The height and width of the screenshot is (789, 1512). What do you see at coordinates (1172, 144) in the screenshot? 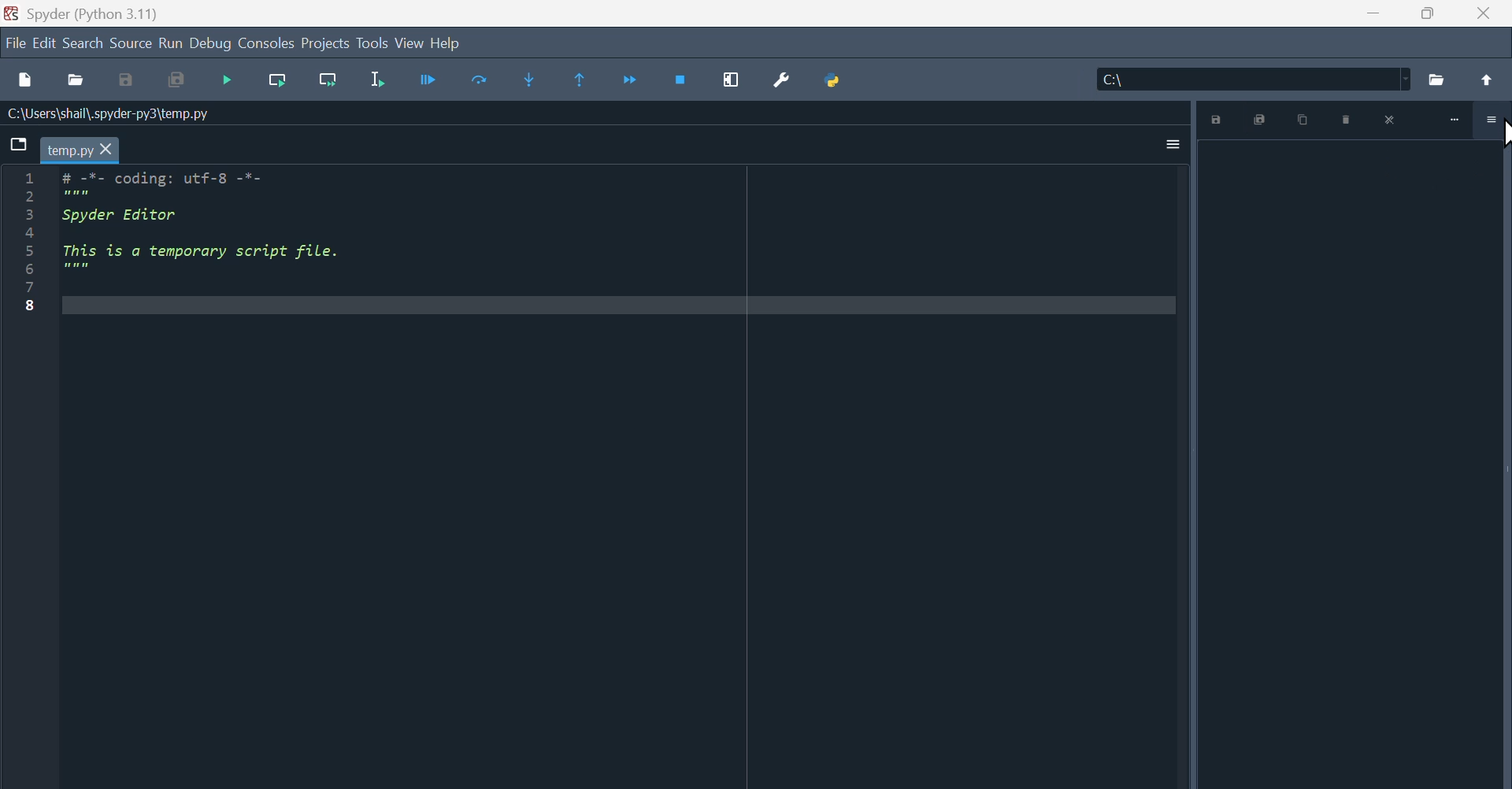
I see `More options` at bounding box center [1172, 144].